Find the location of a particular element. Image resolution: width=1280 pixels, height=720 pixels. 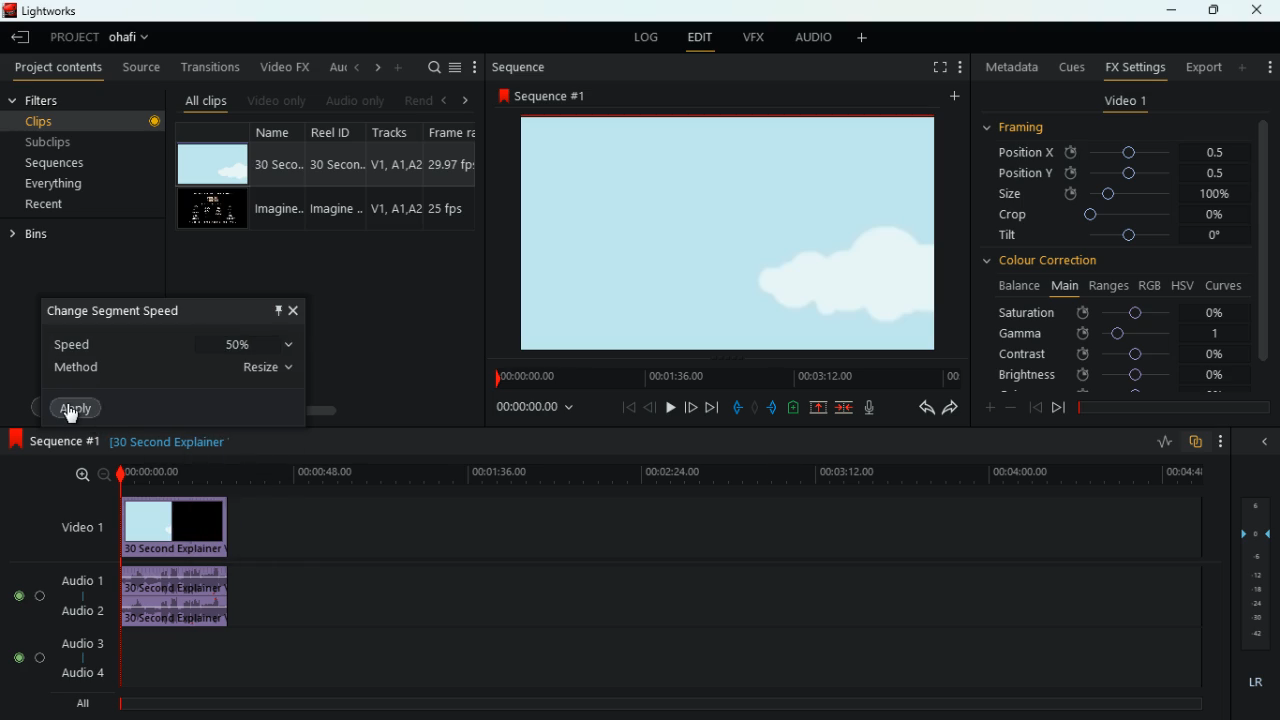

overlap is located at coordinates (1196, 443).